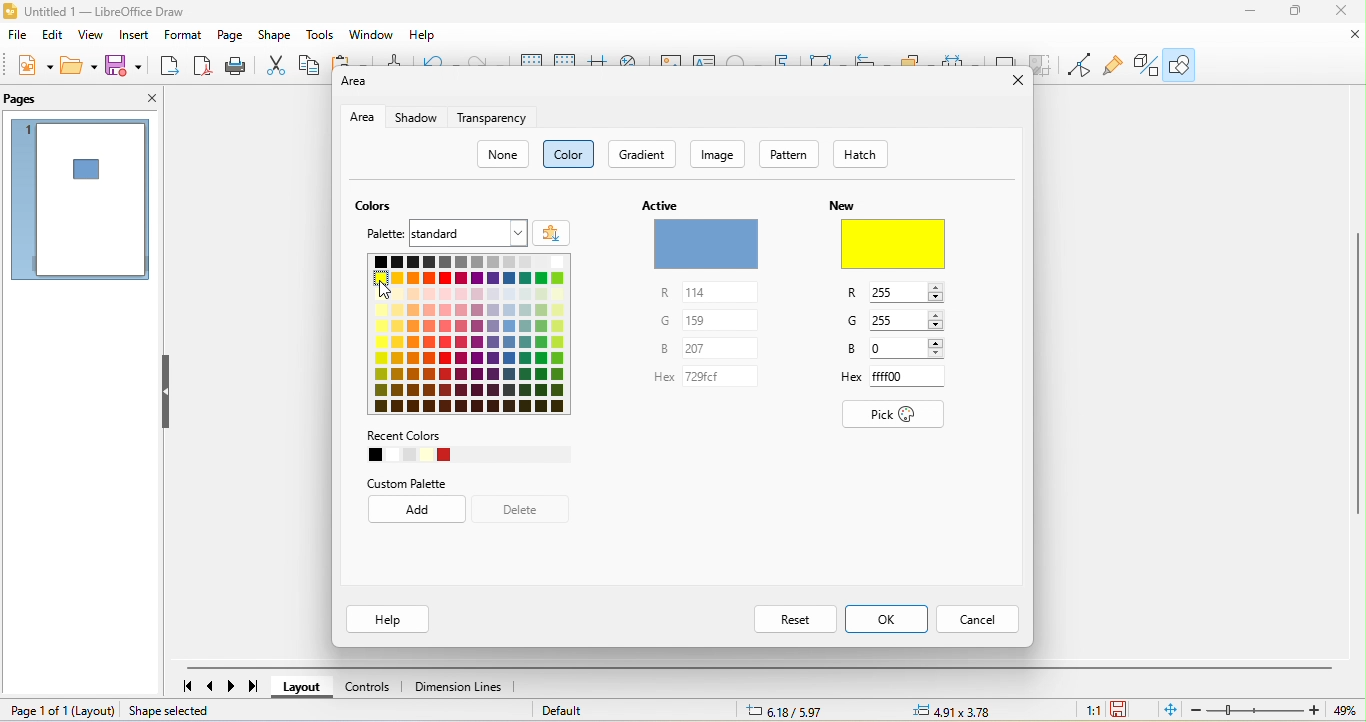 Image resolution: width=1366 pixels, height=722 pixels. I want to click on page, so click(232, 36).